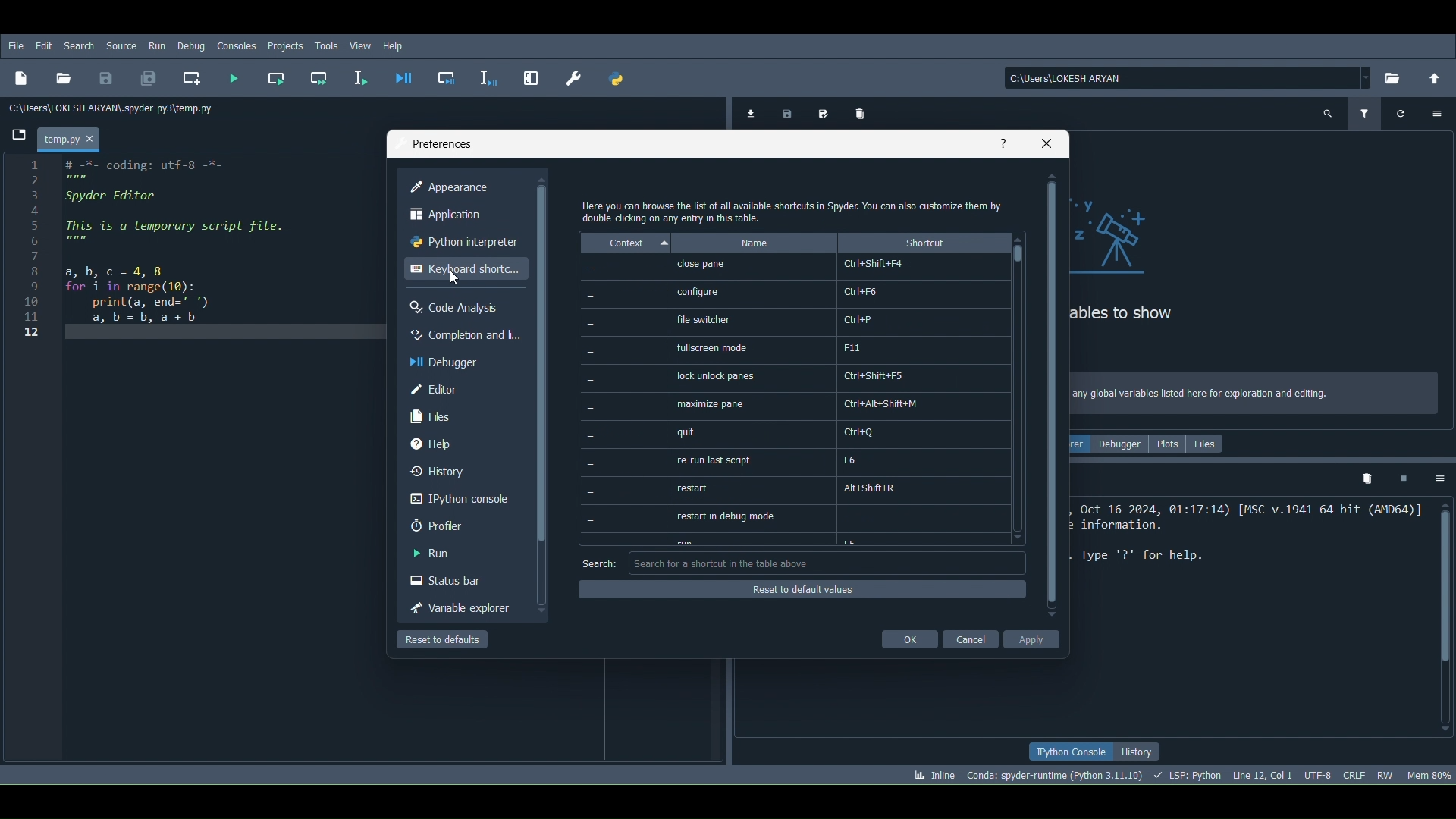 The height and width of the screenshot is (819, 1456). Describe the element at coordinates (573, 78) in the screenshot. I see `Preferences` at that location.